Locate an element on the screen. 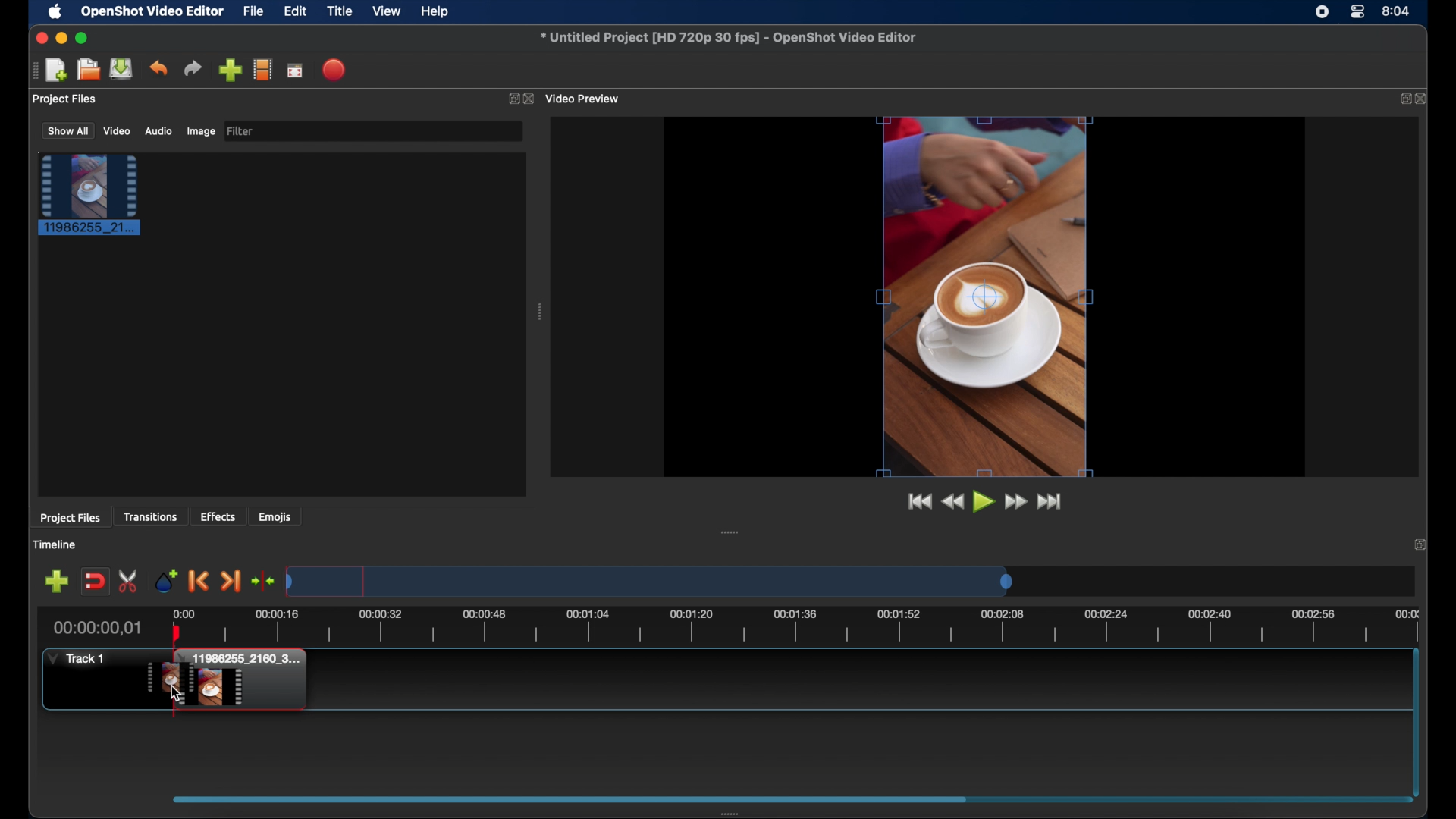  video preview is located at coordinates (585, 98).